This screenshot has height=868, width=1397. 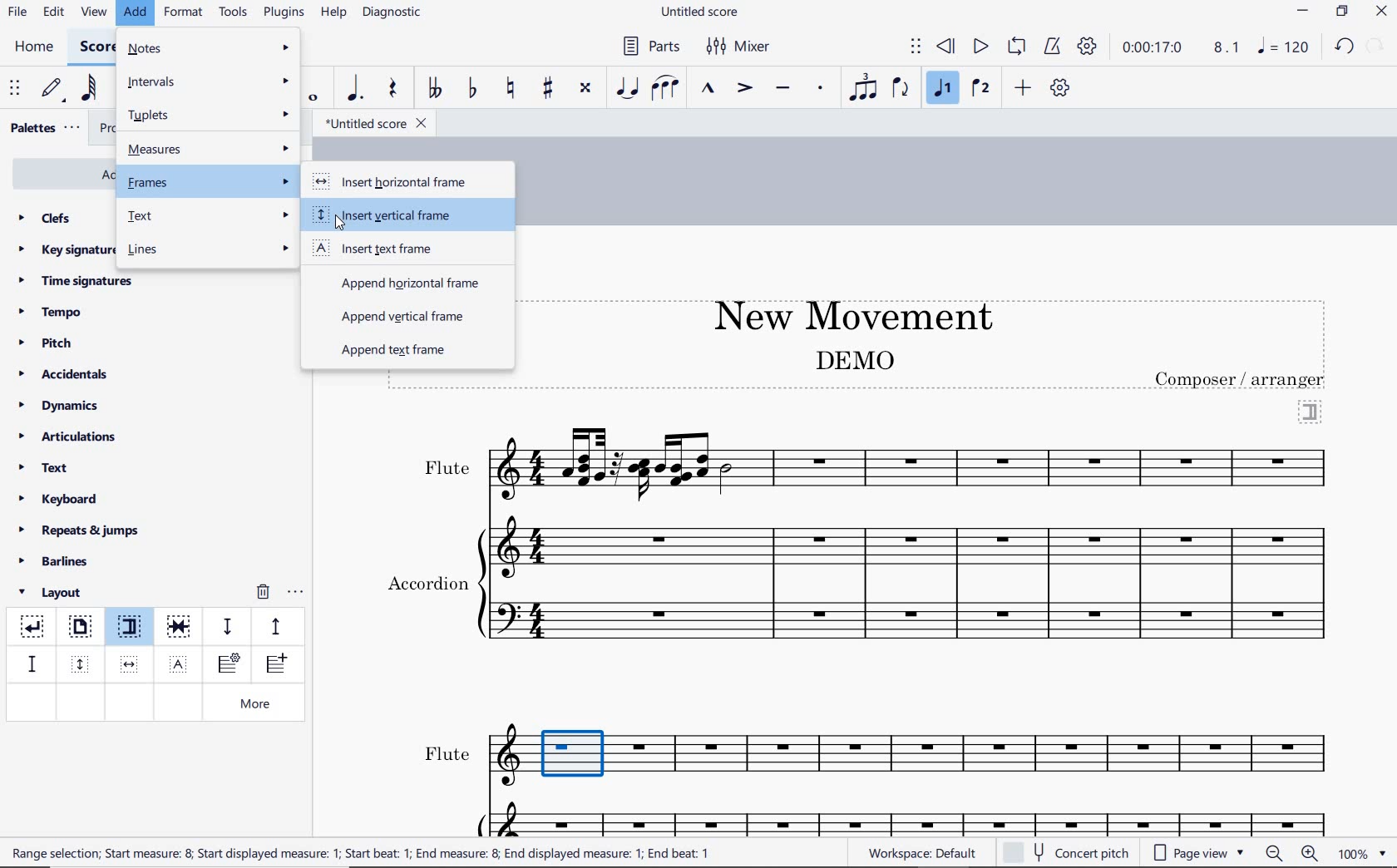 I want to click on staccato, so click(x=821, y=88).